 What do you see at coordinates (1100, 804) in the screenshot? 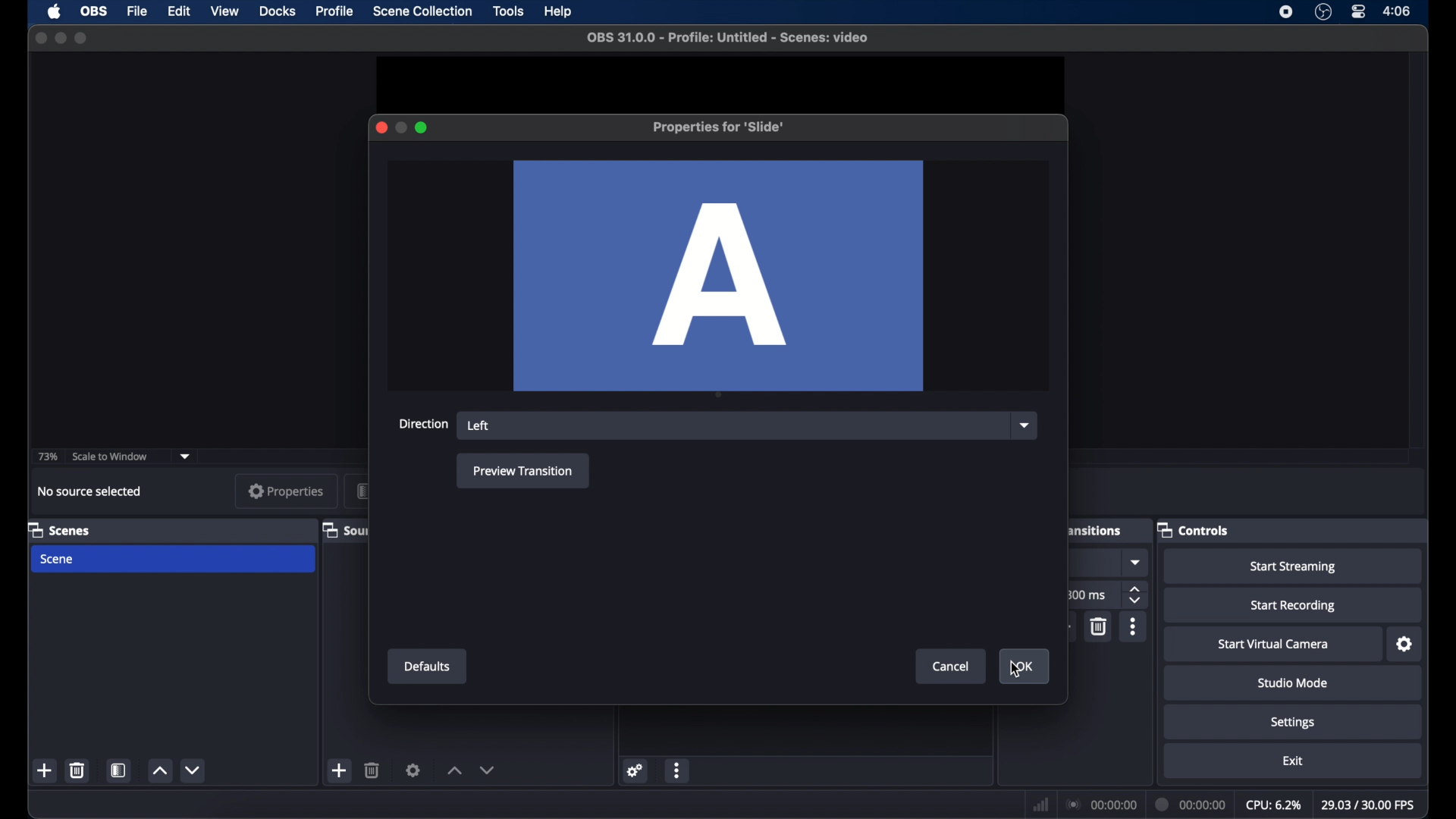
I see `connection` at bounding box center [1100, 804].